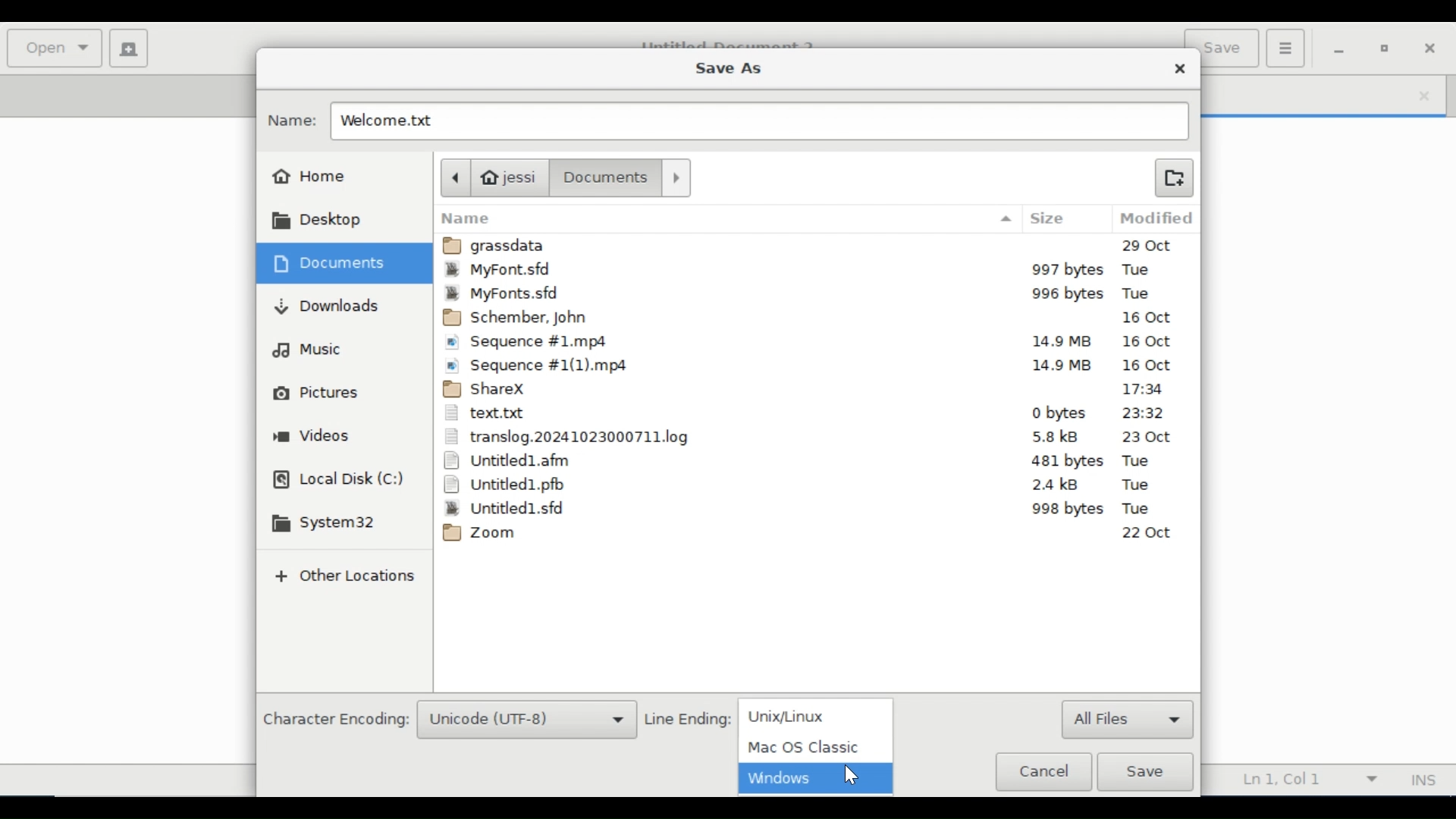 The width and height of the screenshot is (1456, 819). I want to click on translog.2024102410323000711.log 5.8kB 23Oct, so click(811, 437).